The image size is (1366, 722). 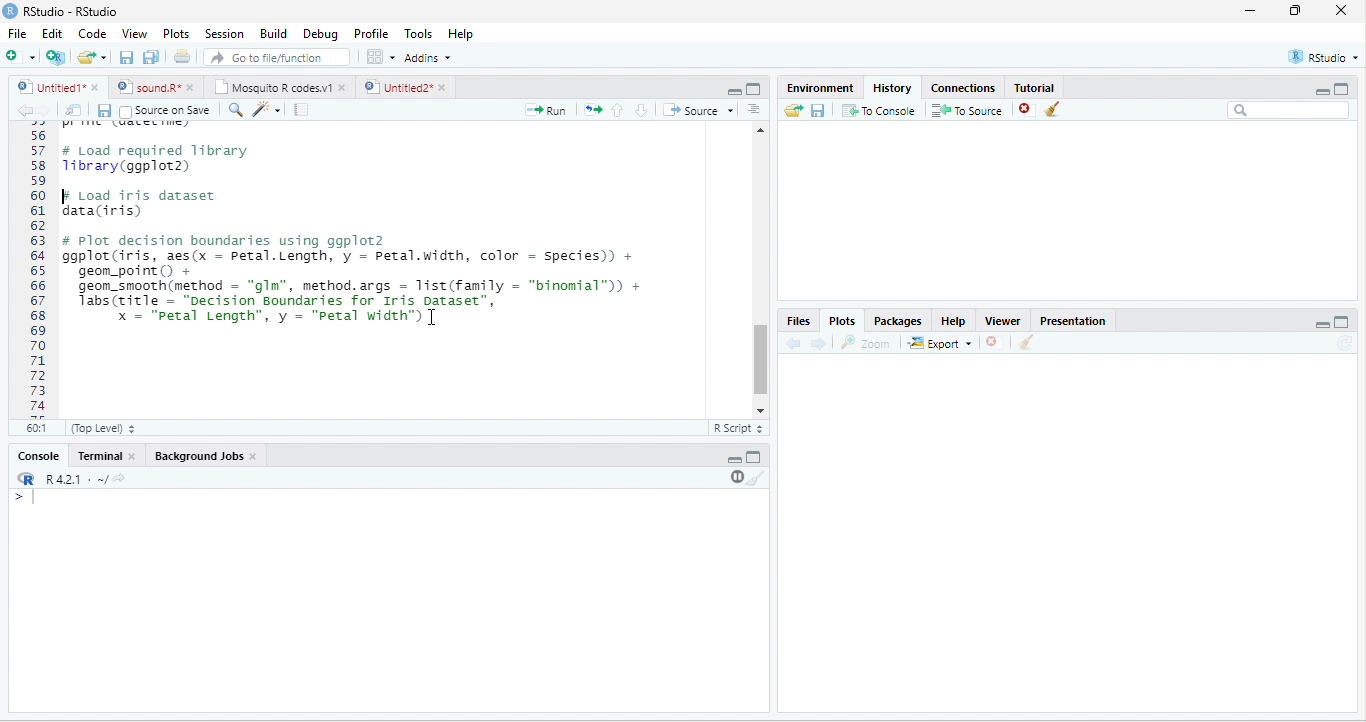 I want to click on Source on Save, so click(x=164, y=111).